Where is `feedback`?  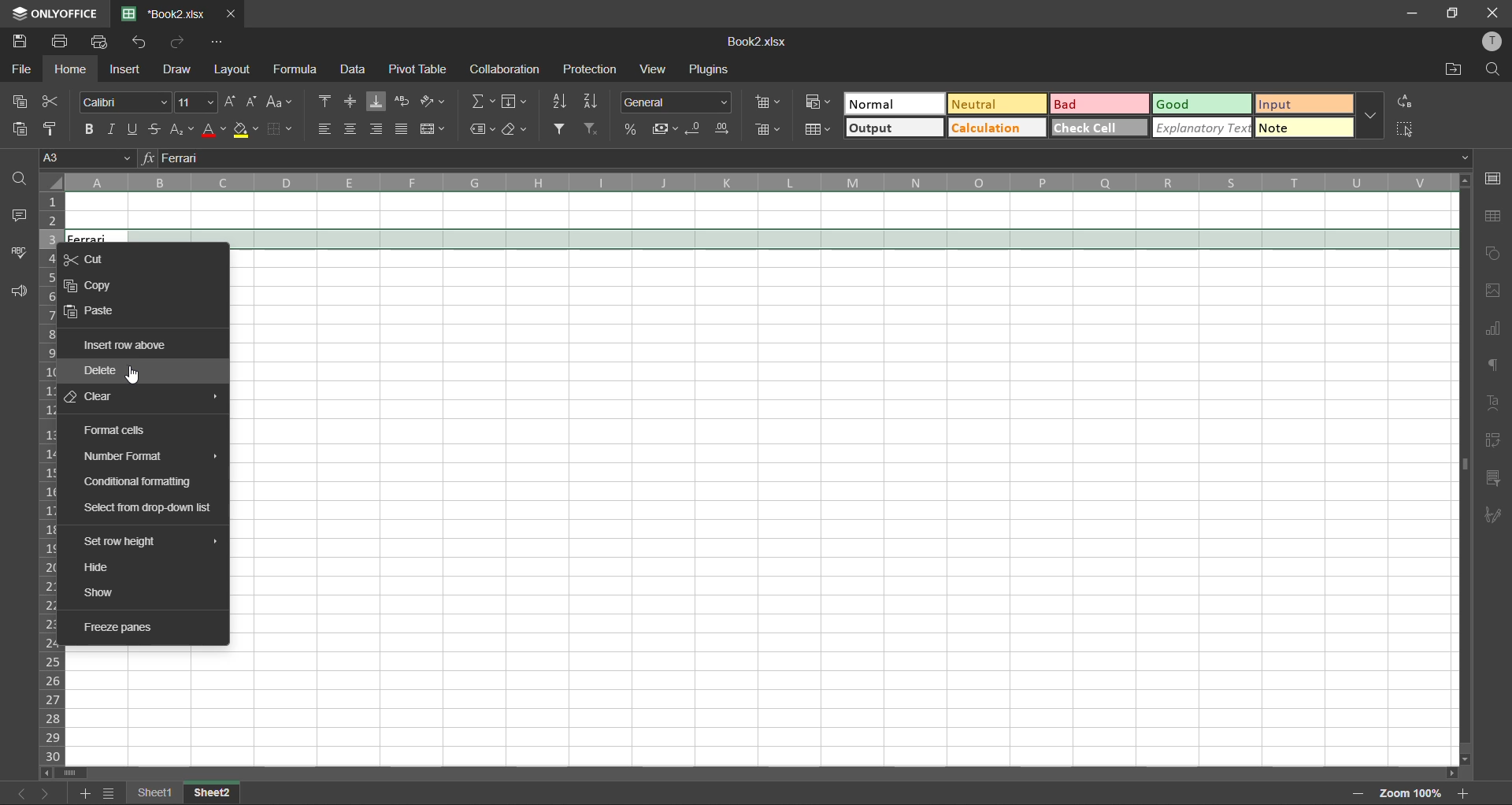
feedback is located at coordinates (19, 293).